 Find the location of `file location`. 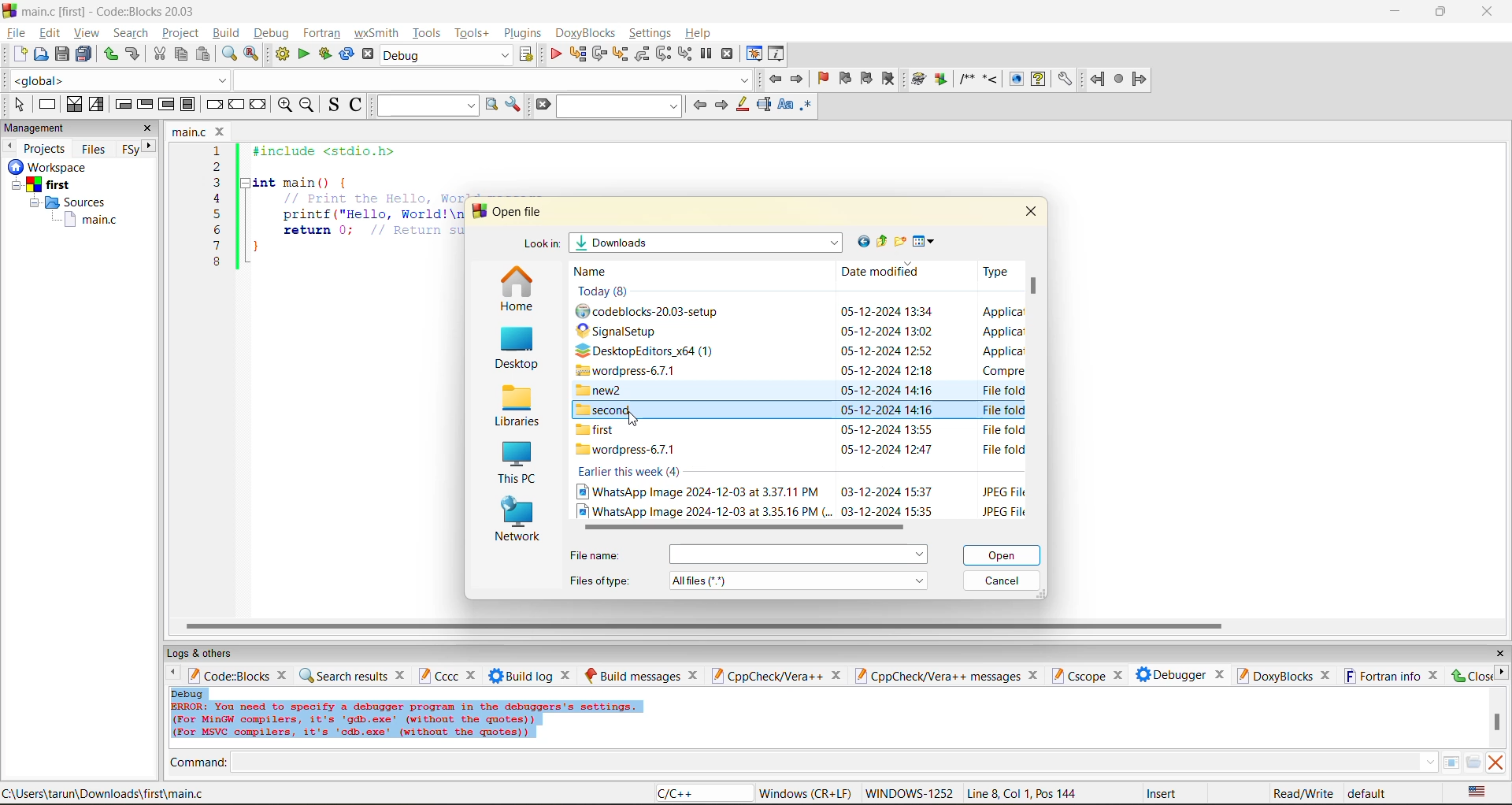

file location is located at coordinates (104, 793).